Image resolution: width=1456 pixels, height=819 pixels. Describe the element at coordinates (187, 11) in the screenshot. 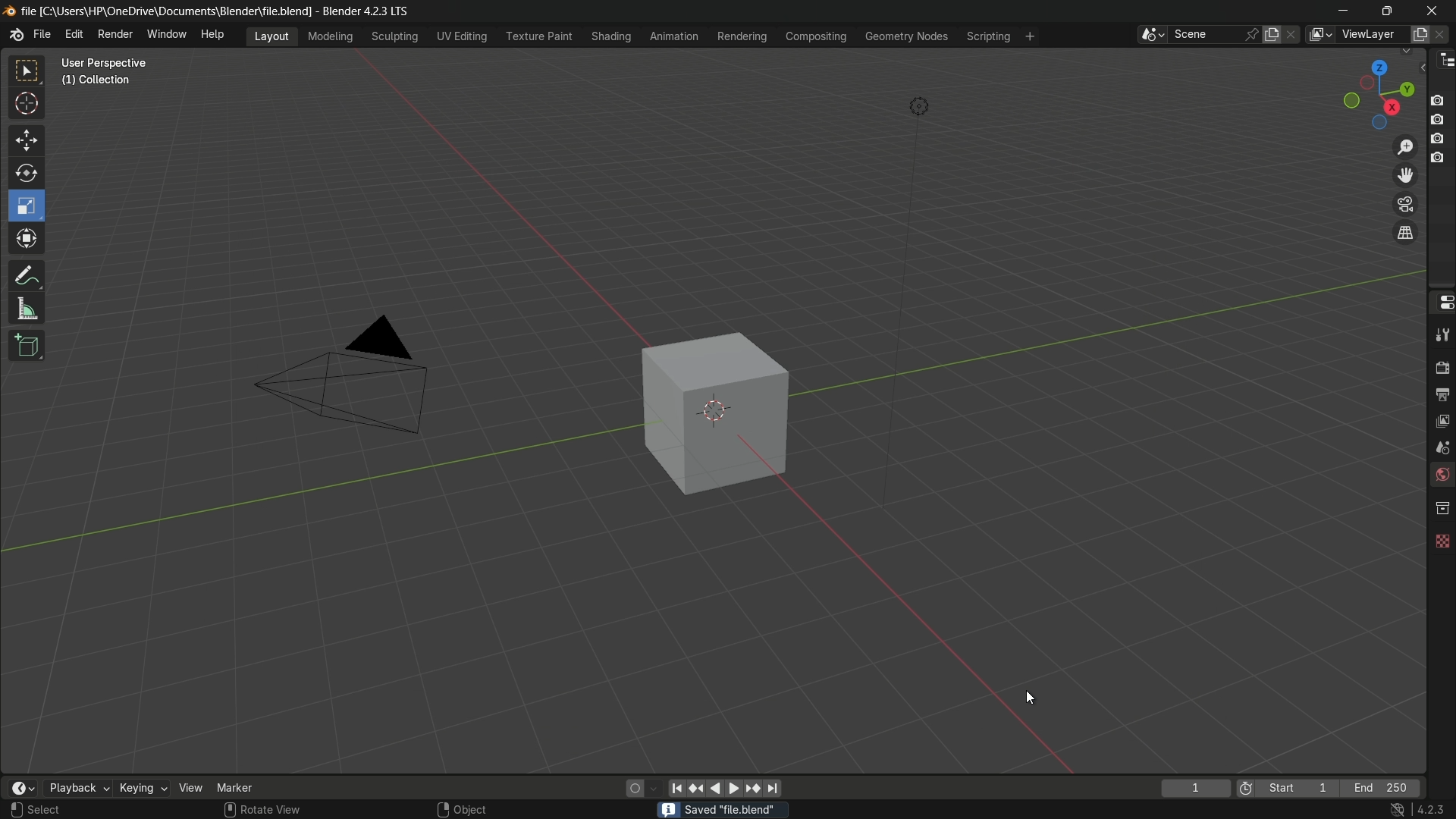

I see `C:\User:\\HP\Onedrive\Documents\Blender` at that location.